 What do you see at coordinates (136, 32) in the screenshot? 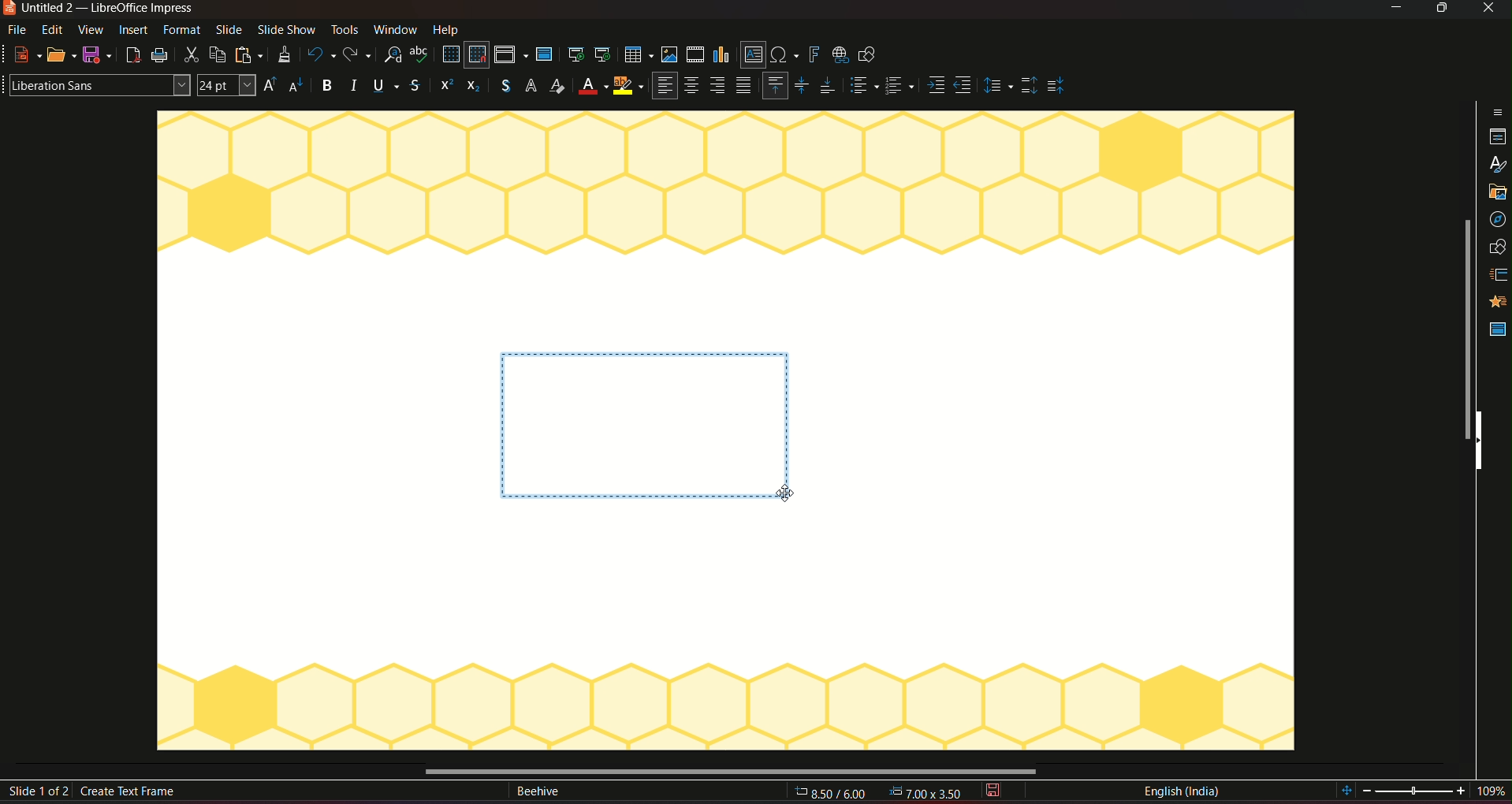
I see `insert` at bounding box center [136, 32].